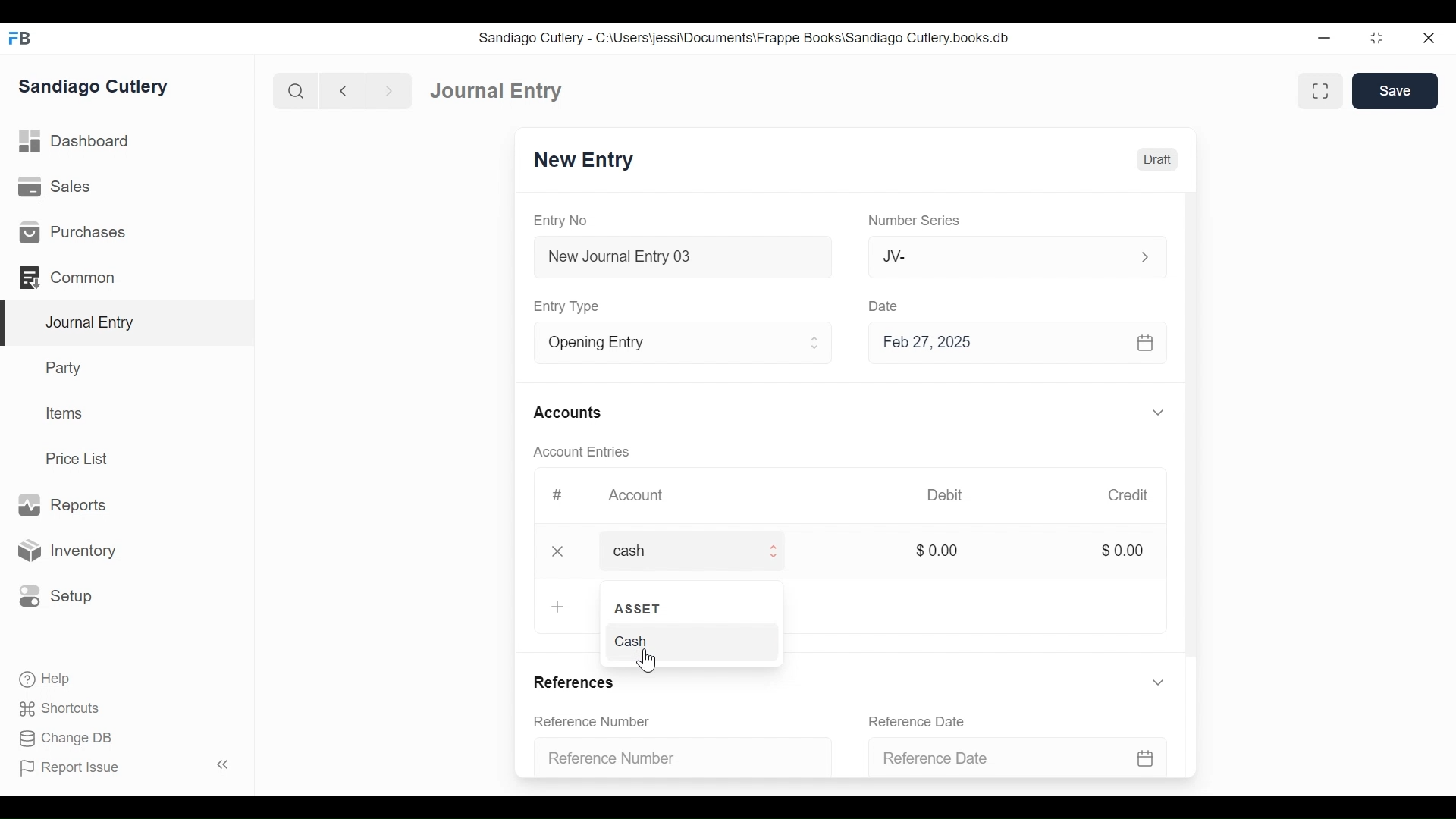 The image size is (1456, 819). Describe the element at coordinates (61, 711) in the screenshot. I see `Shortcuts` at that location.